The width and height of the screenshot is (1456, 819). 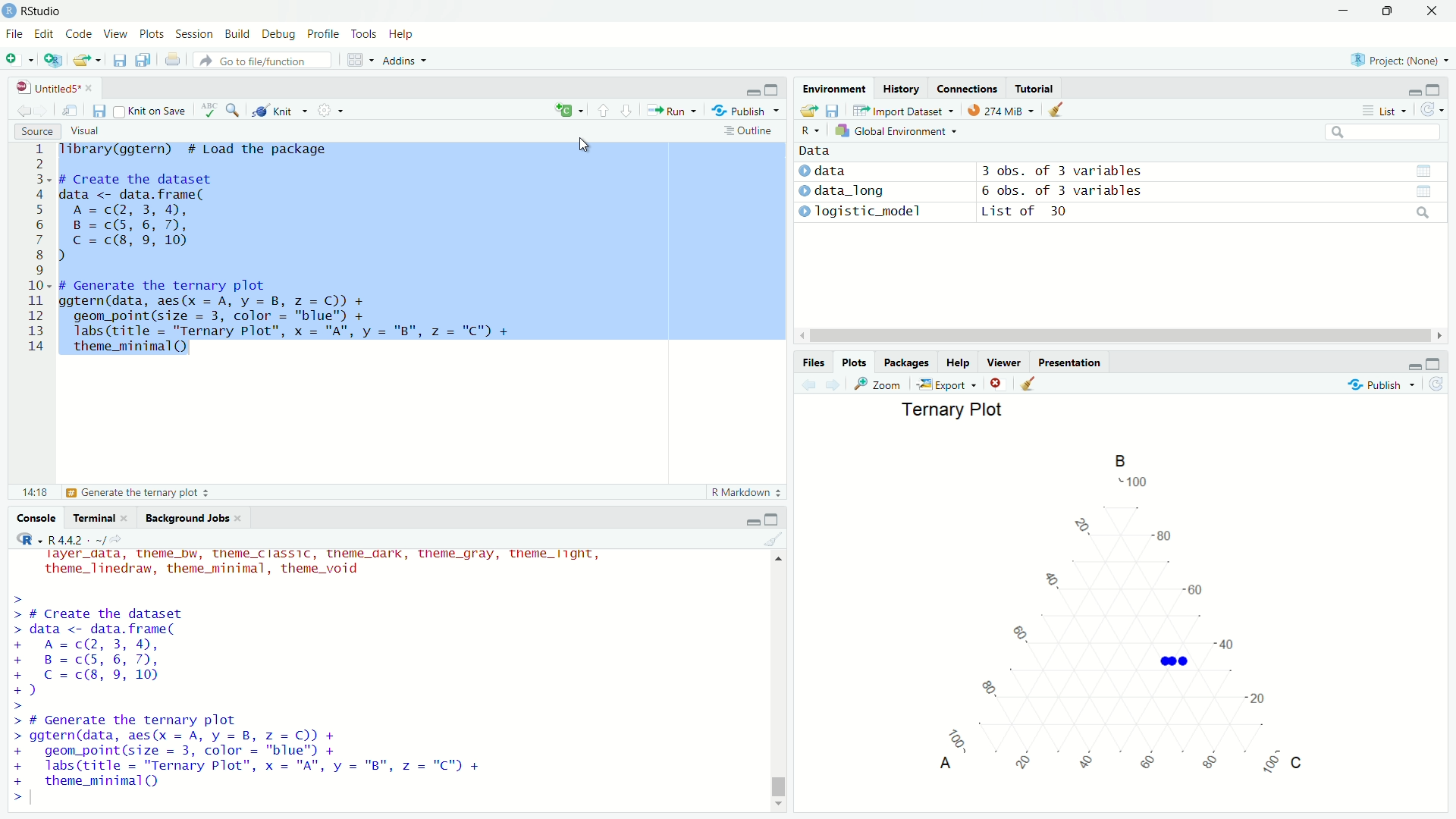 I want to click on Viewer, so click(x=1005, y=365).